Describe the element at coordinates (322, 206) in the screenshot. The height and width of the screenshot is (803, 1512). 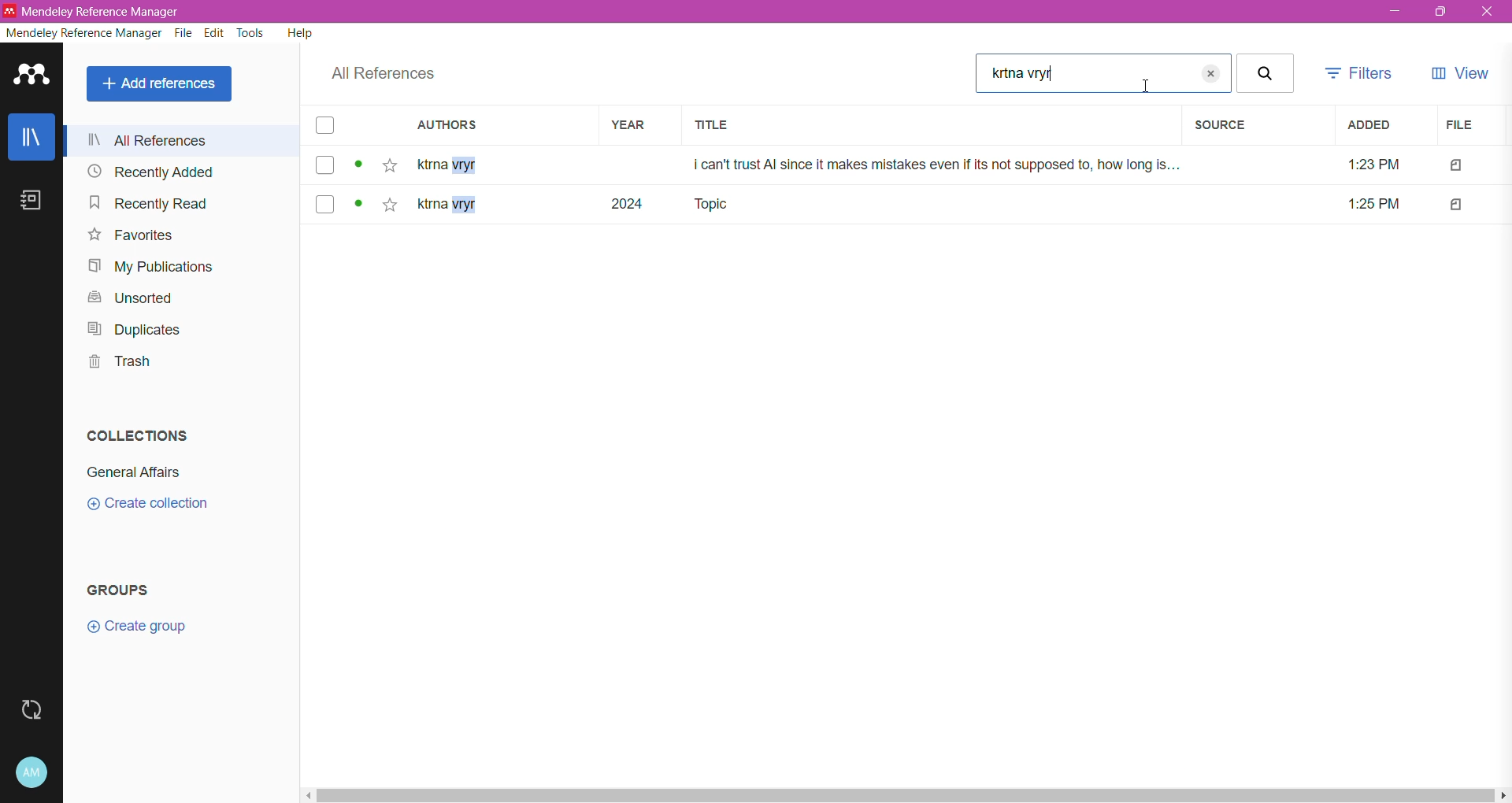
I see `select file` at that location.